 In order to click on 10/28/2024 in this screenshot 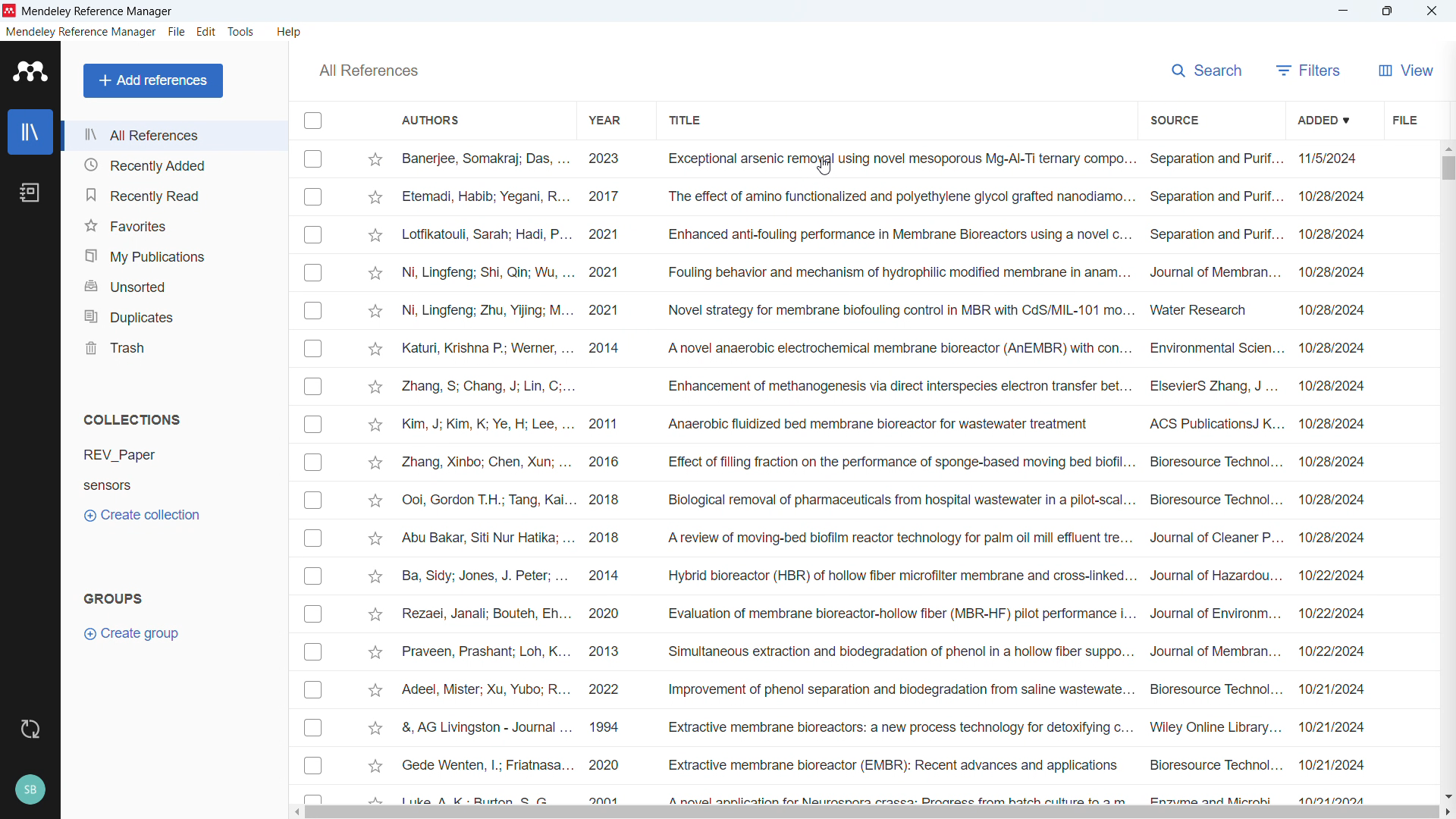, I will do `click(1337, 537)`.